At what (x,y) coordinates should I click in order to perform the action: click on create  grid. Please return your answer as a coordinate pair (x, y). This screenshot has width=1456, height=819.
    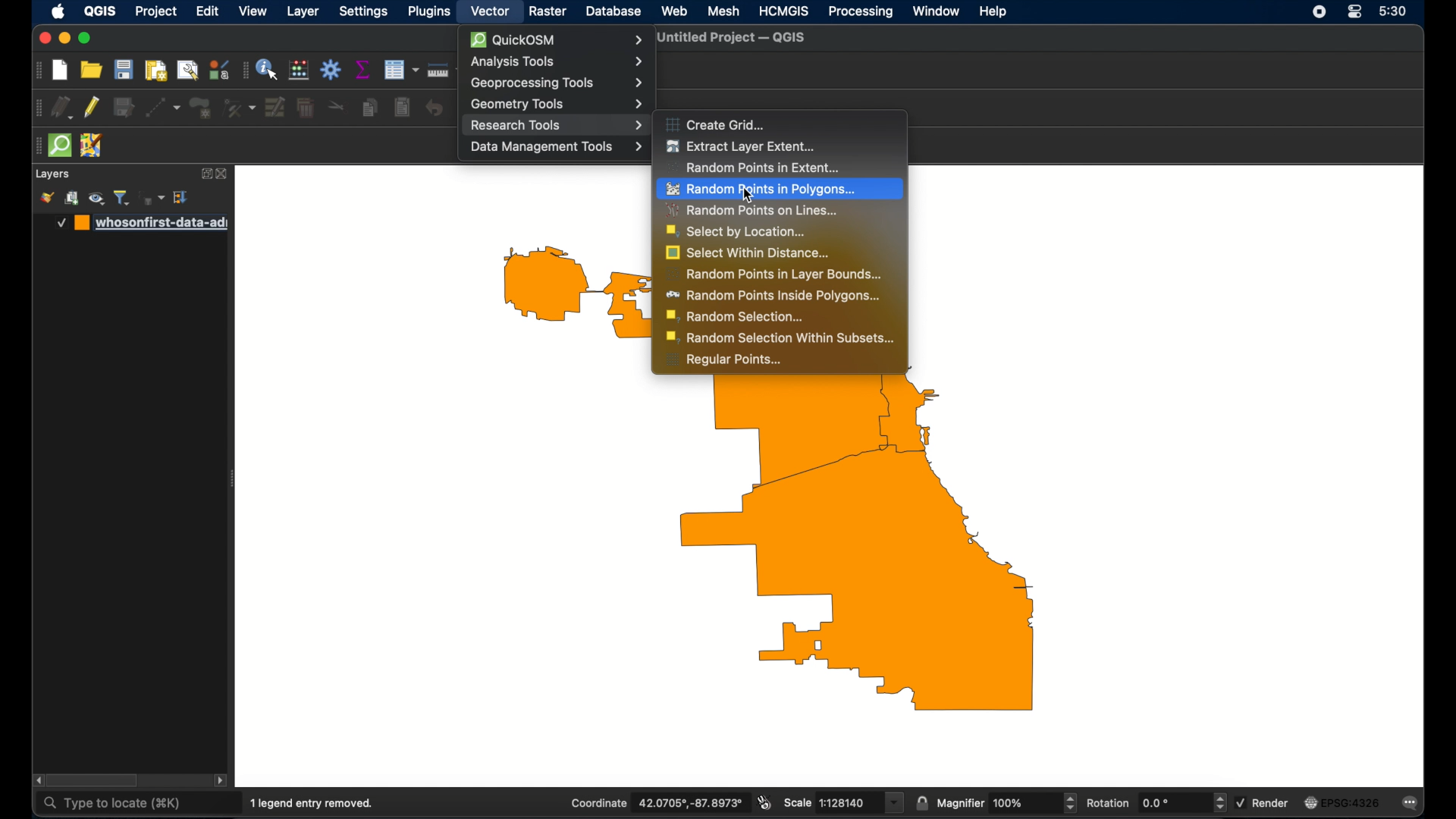
    Looking at the image, I should click on (716, 124).